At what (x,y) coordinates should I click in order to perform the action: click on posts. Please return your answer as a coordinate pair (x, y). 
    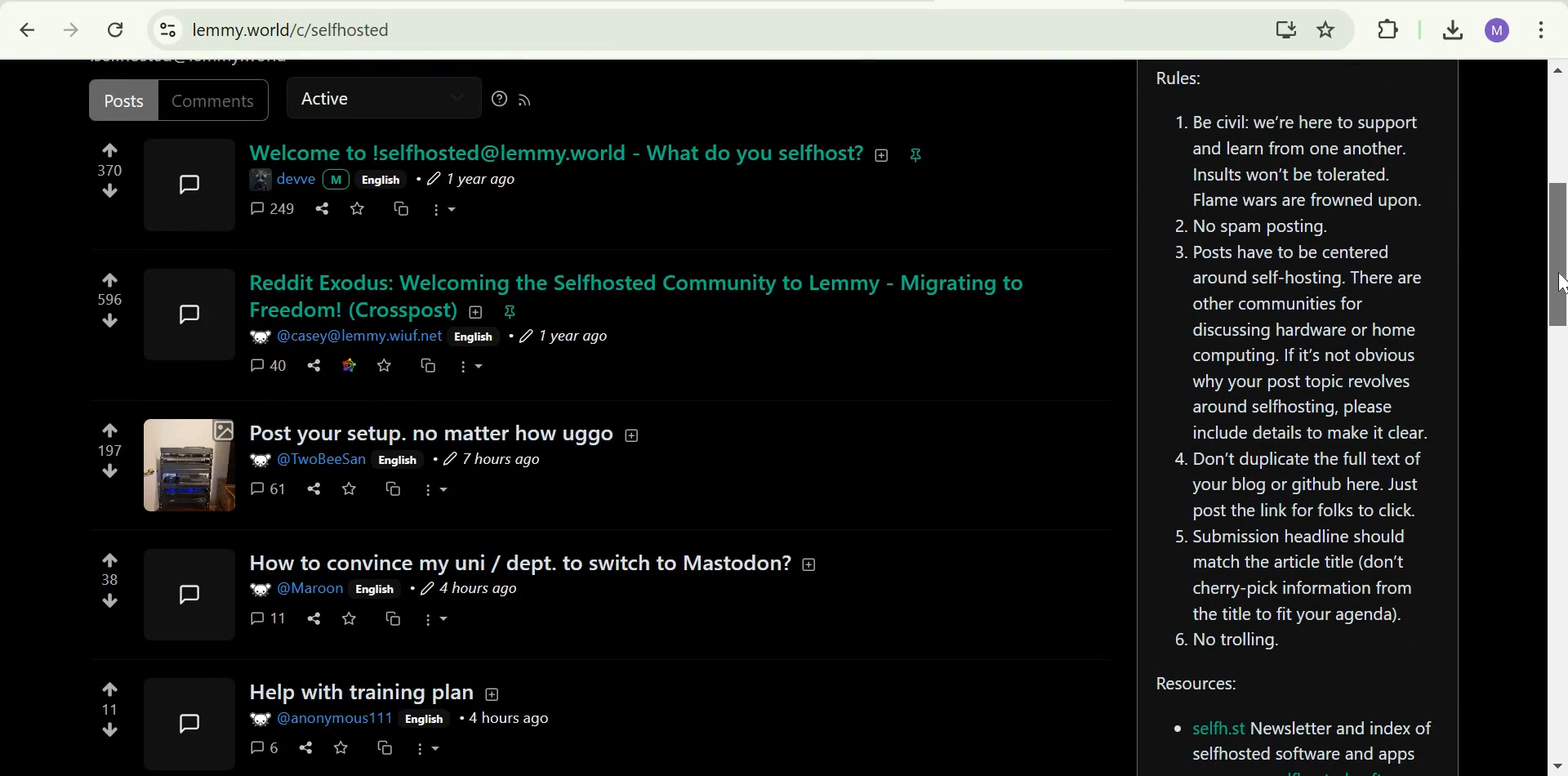
    Looking at the image, I should click on (122, 100).